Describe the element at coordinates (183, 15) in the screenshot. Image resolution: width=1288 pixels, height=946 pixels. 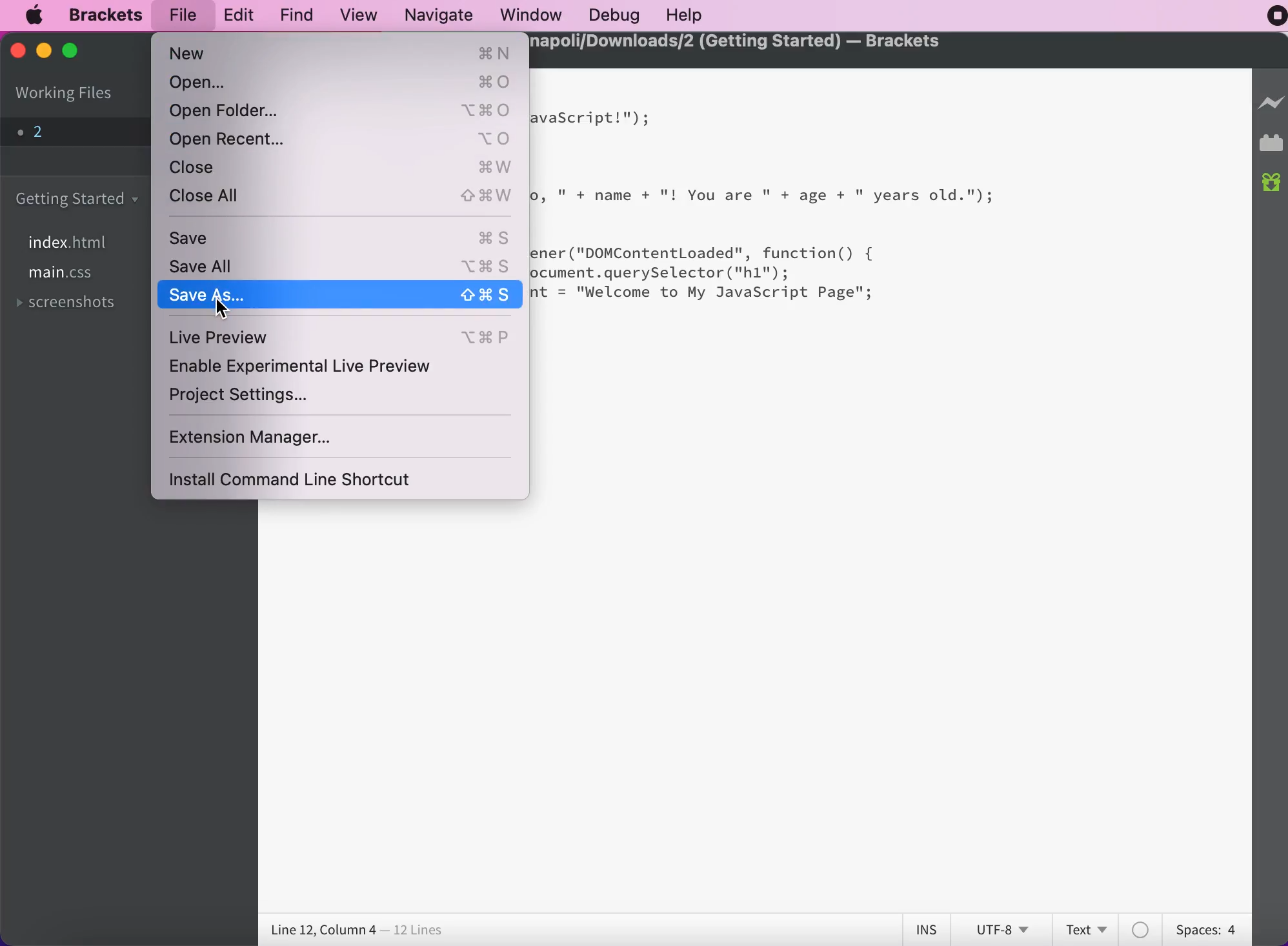
I see `file` at that location.